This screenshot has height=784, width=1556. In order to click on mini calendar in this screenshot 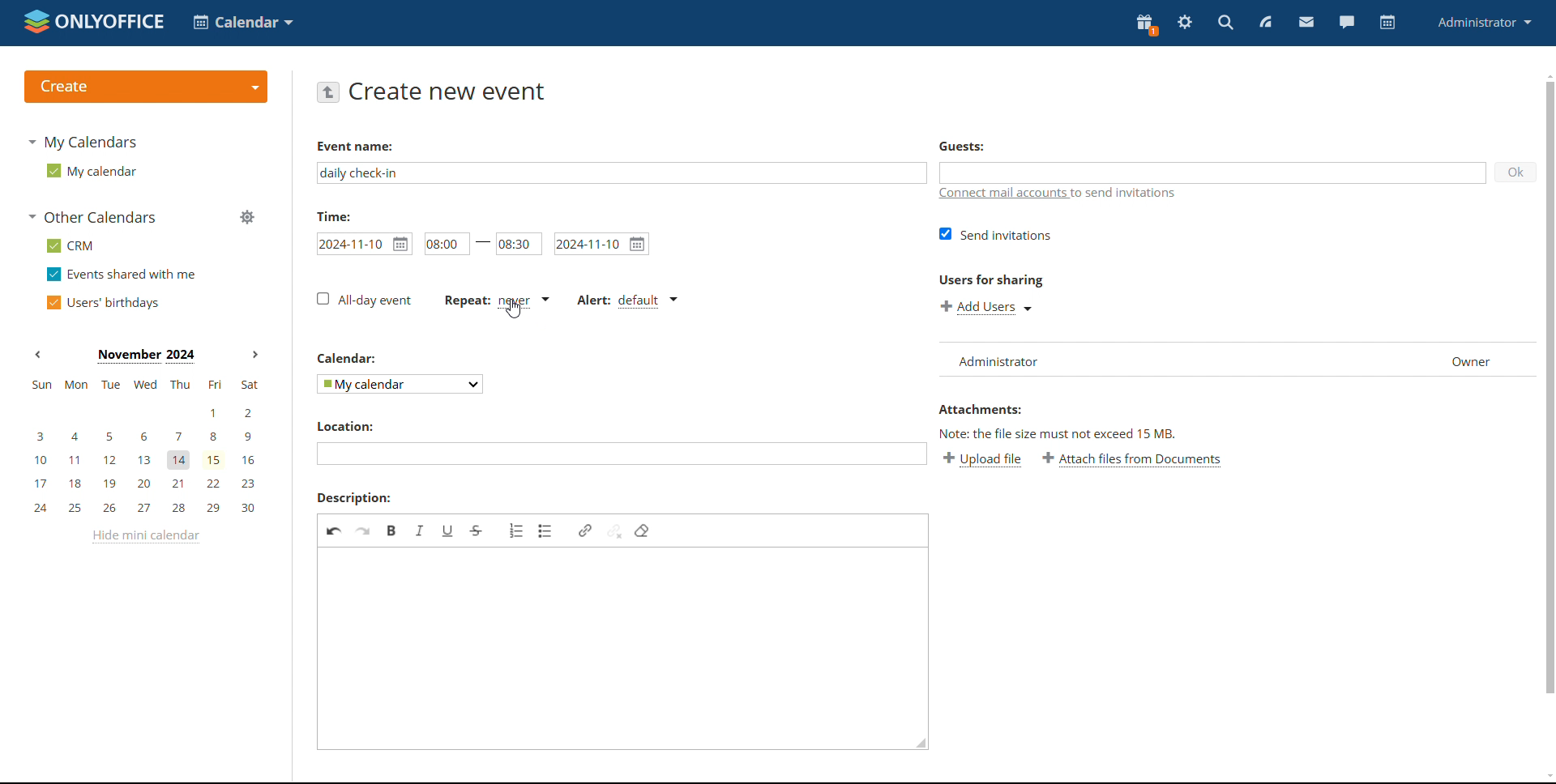, I will do `click(144, 445)`.